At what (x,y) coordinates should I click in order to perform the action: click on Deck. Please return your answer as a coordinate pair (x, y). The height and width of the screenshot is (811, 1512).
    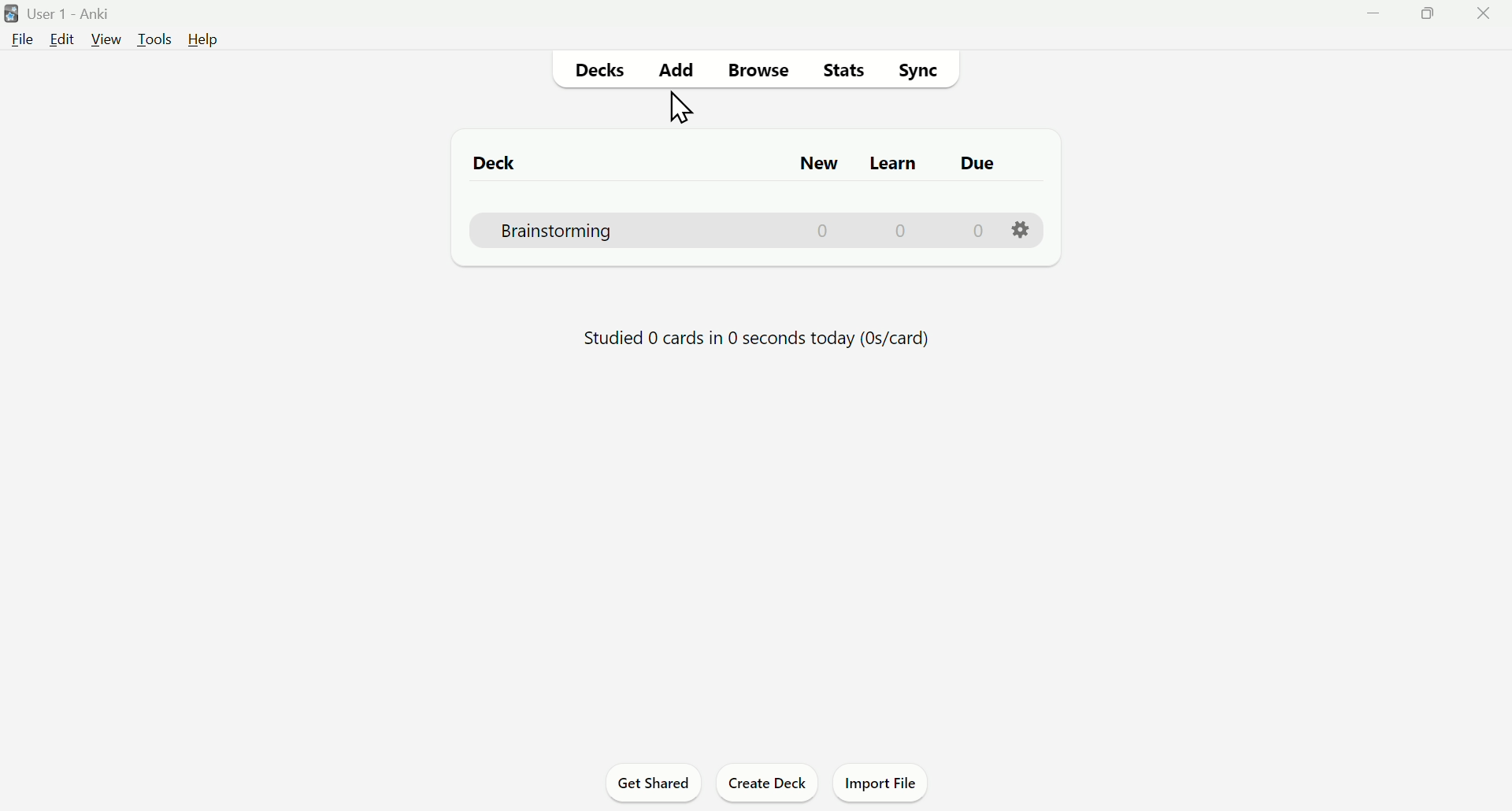
    Looking at the image, I should click on (489, 161).